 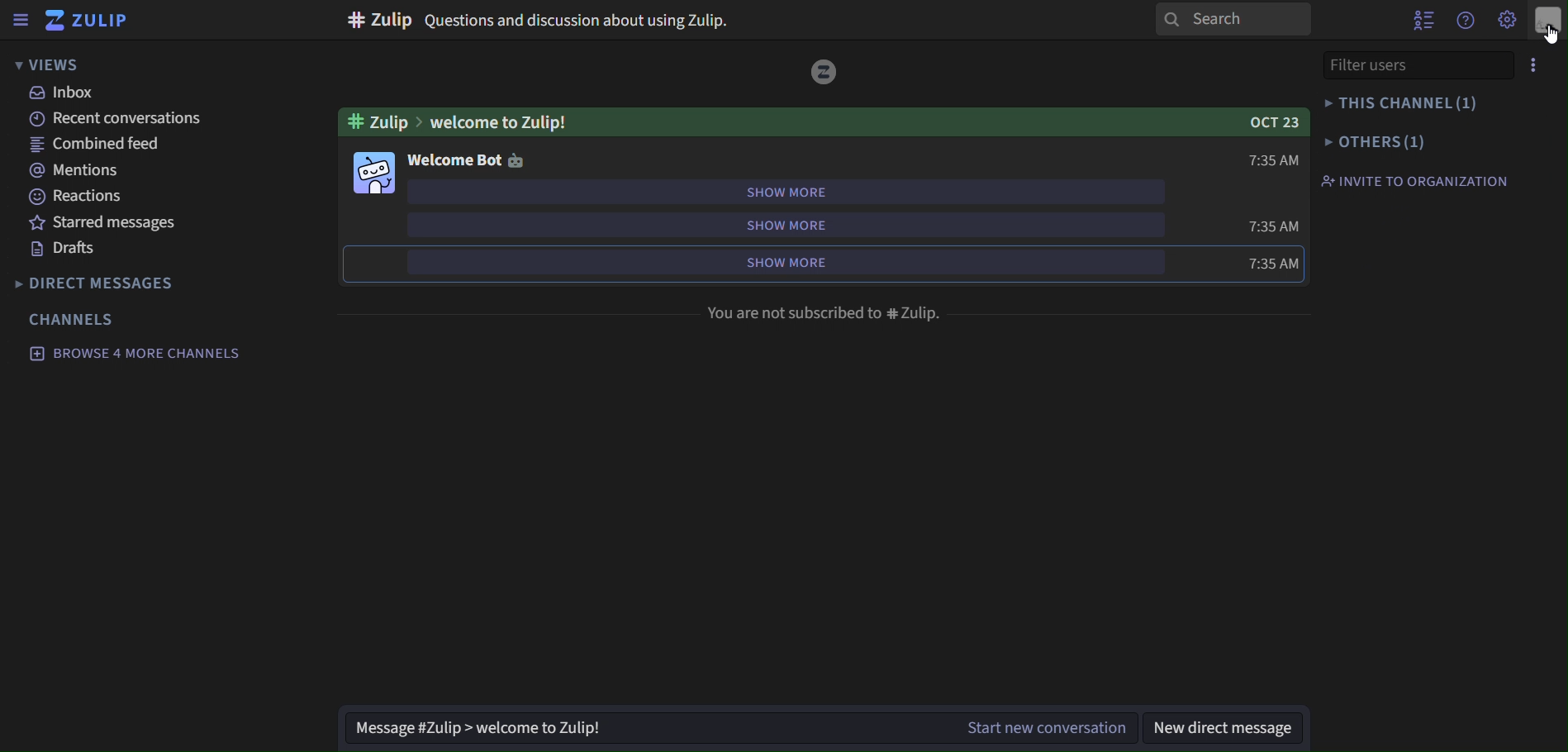 I want to click on personal menu, so click(x=1549, y=21).